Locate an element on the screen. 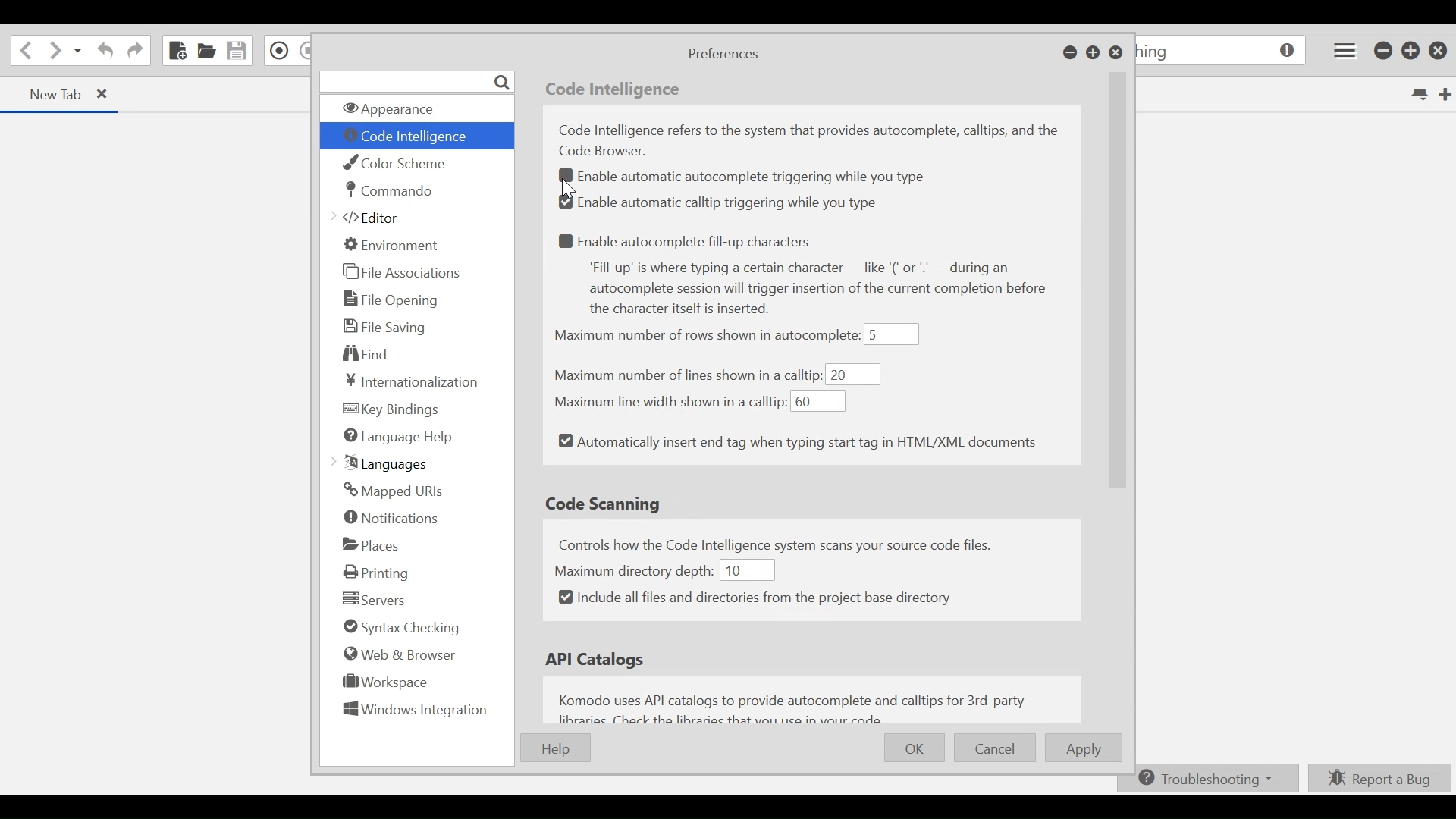  Enable autocomplete fill-up characters is located at coordinates (689, 240).